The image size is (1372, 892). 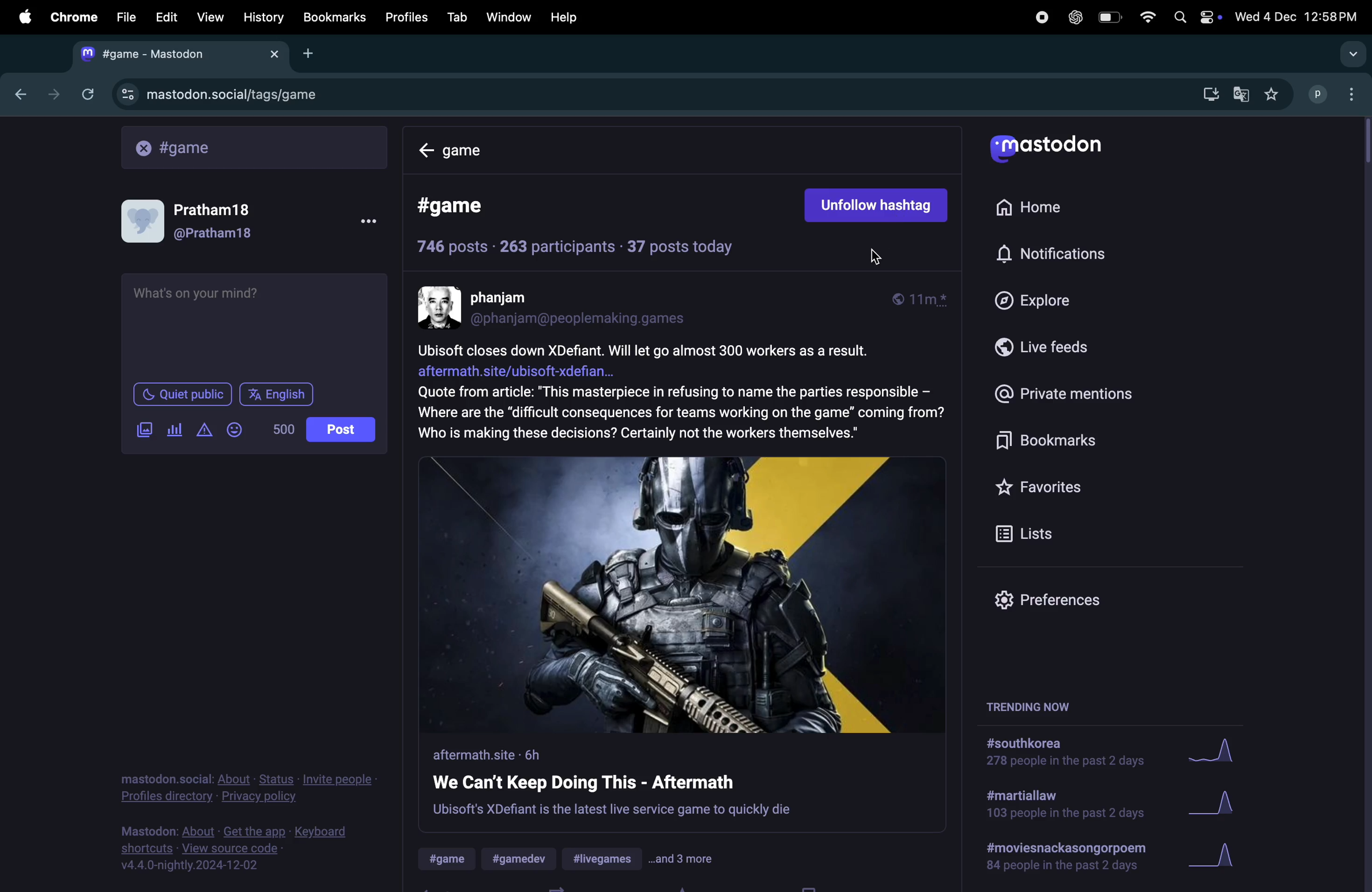 I want to click on Explore, so click(x=1051, y=301).